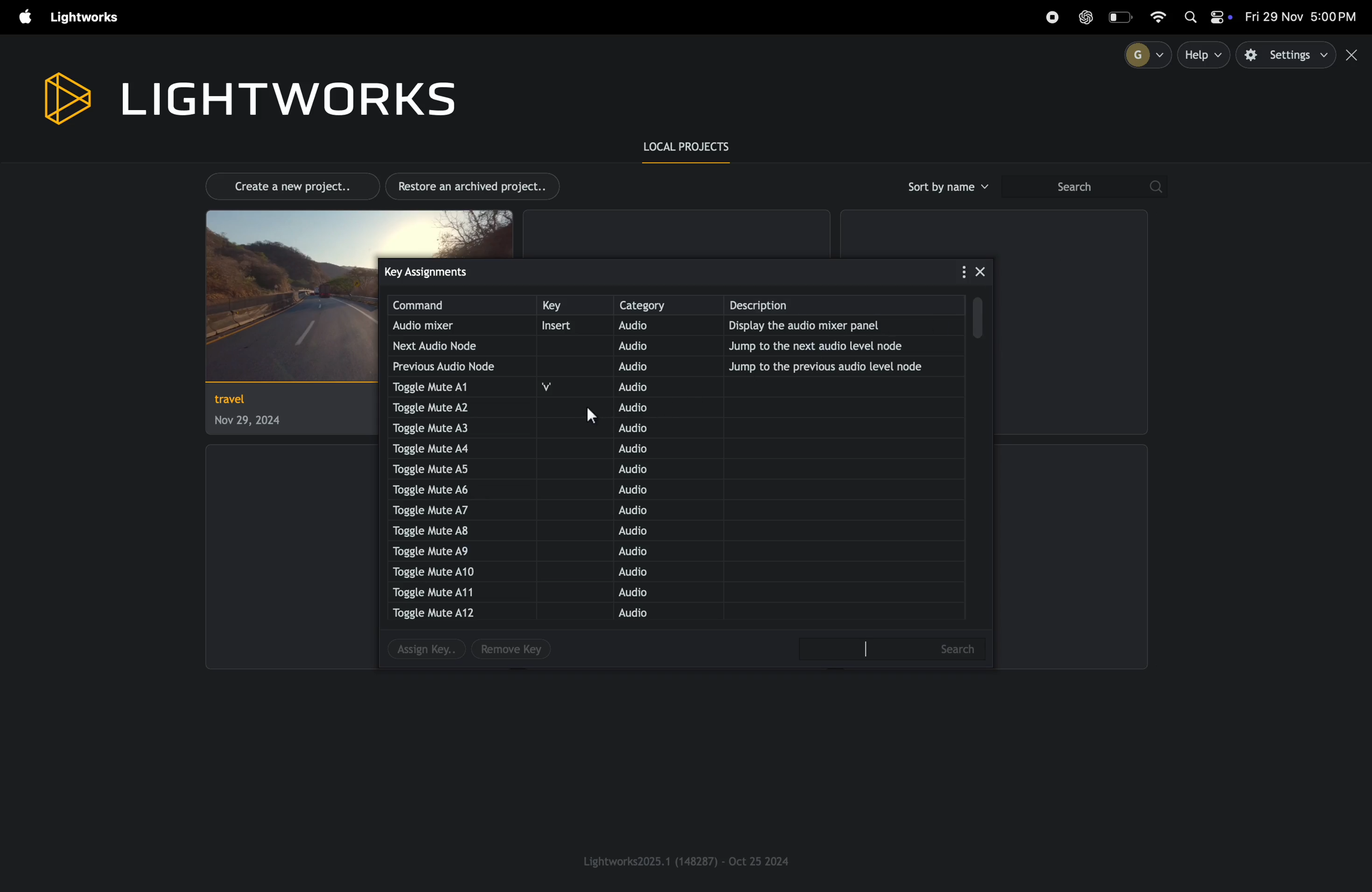 The width and height of the screenshot is (1372, 892). What do you see at coordinates (1083, 187) in the screenshot?
I see `search` at bounding box center [1083, 187].